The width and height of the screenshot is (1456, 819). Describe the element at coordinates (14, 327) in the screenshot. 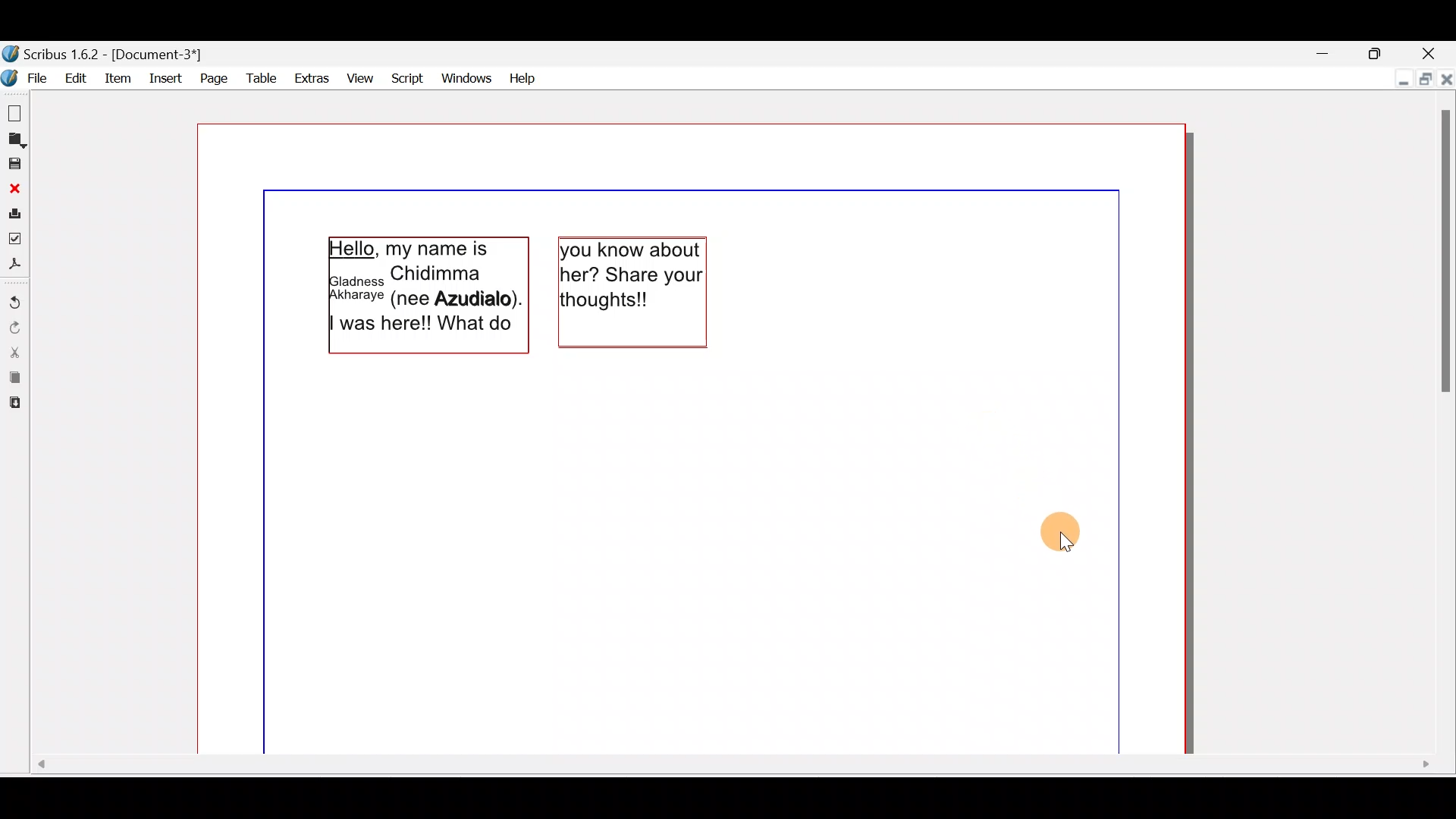

I see `Redo` at that location.